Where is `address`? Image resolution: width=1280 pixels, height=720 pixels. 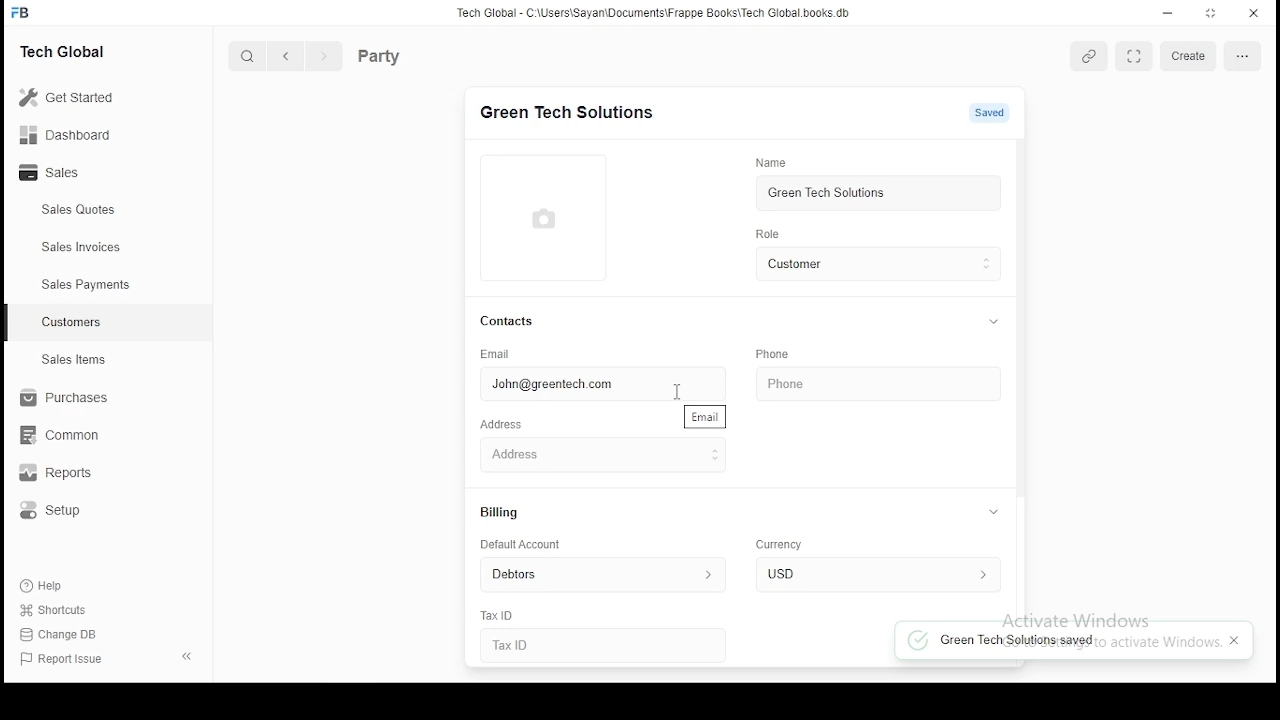
address is located at coordinates (502, 426).